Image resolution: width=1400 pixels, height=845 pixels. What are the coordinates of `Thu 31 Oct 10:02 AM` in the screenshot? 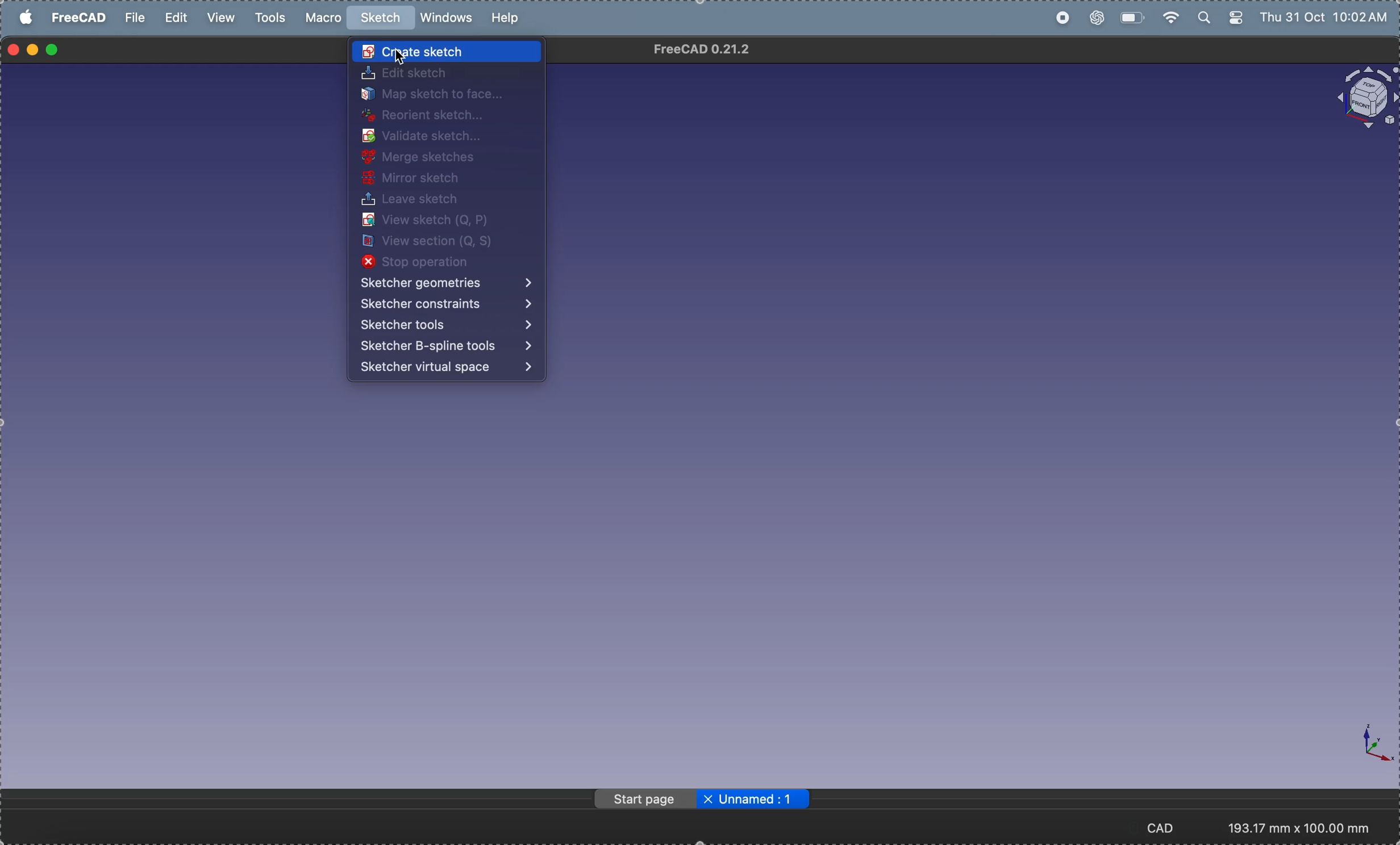 It's located at (1327, 19).